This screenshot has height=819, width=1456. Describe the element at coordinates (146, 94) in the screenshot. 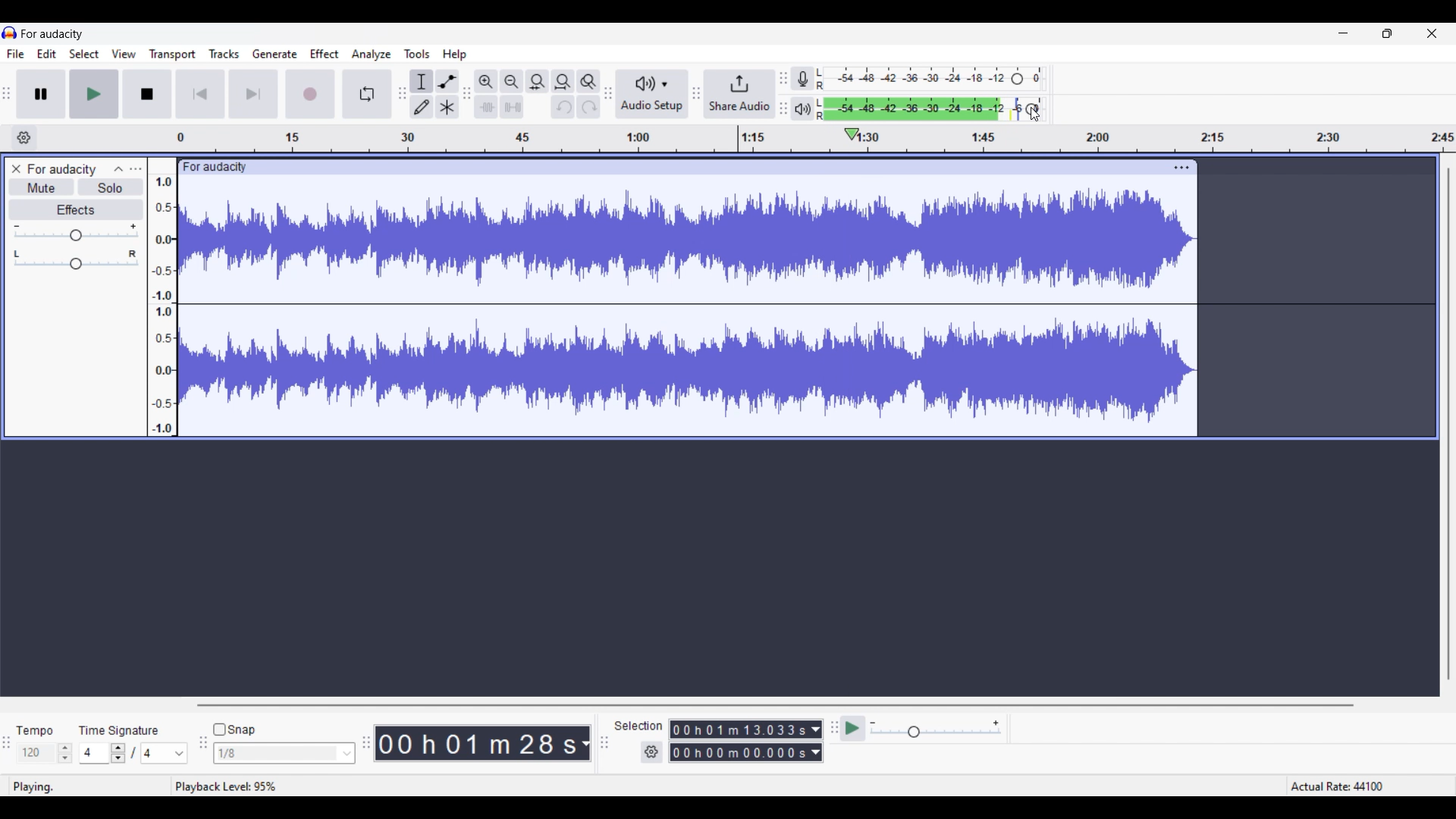

I see `Stop` at that location.